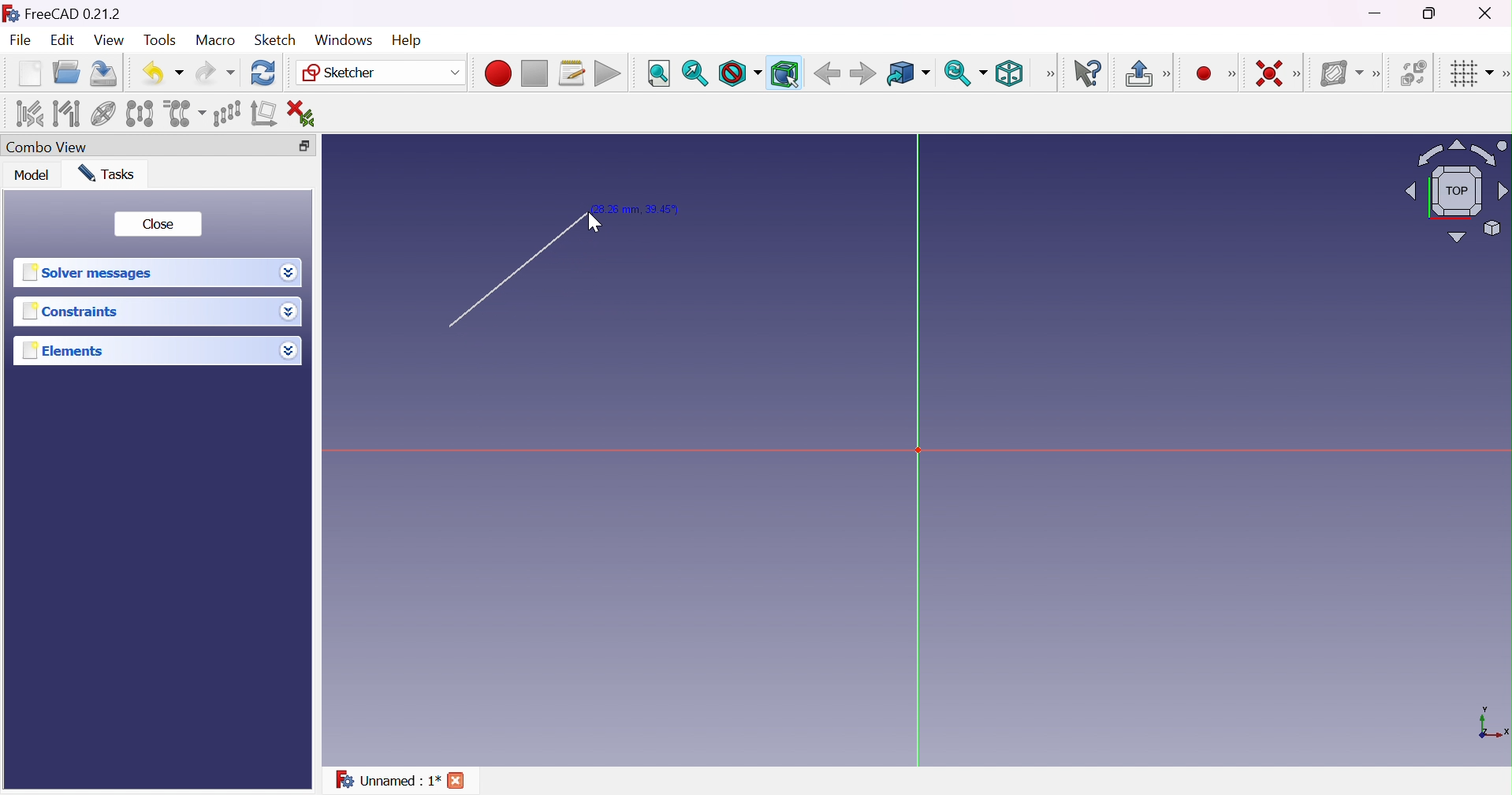 This screenshot has width=1512, height=795. Describe the element at coordinates (784, 73) in the screenshot. I see `Bounding box` at that location.